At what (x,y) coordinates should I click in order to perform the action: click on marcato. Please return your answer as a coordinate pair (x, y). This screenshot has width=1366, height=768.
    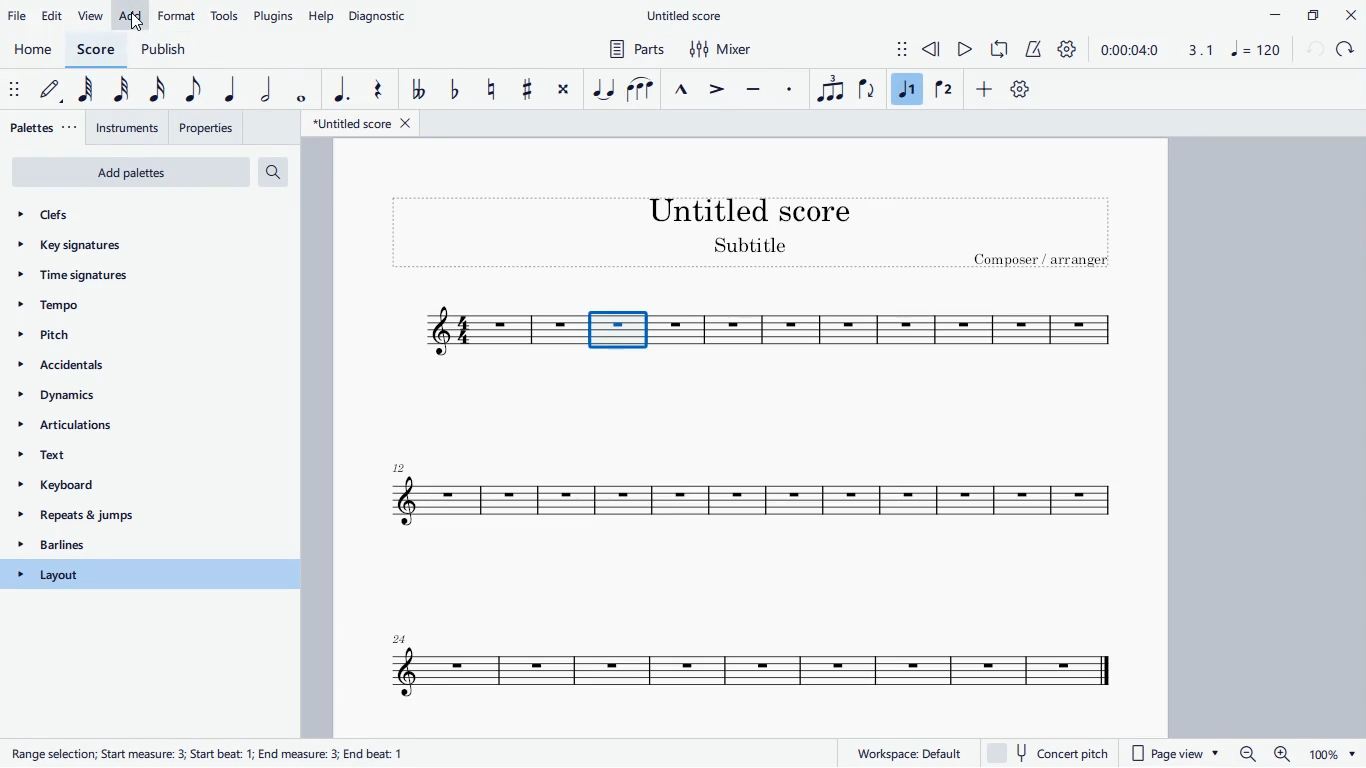
    Looking at the image, I should click on (685, 87).